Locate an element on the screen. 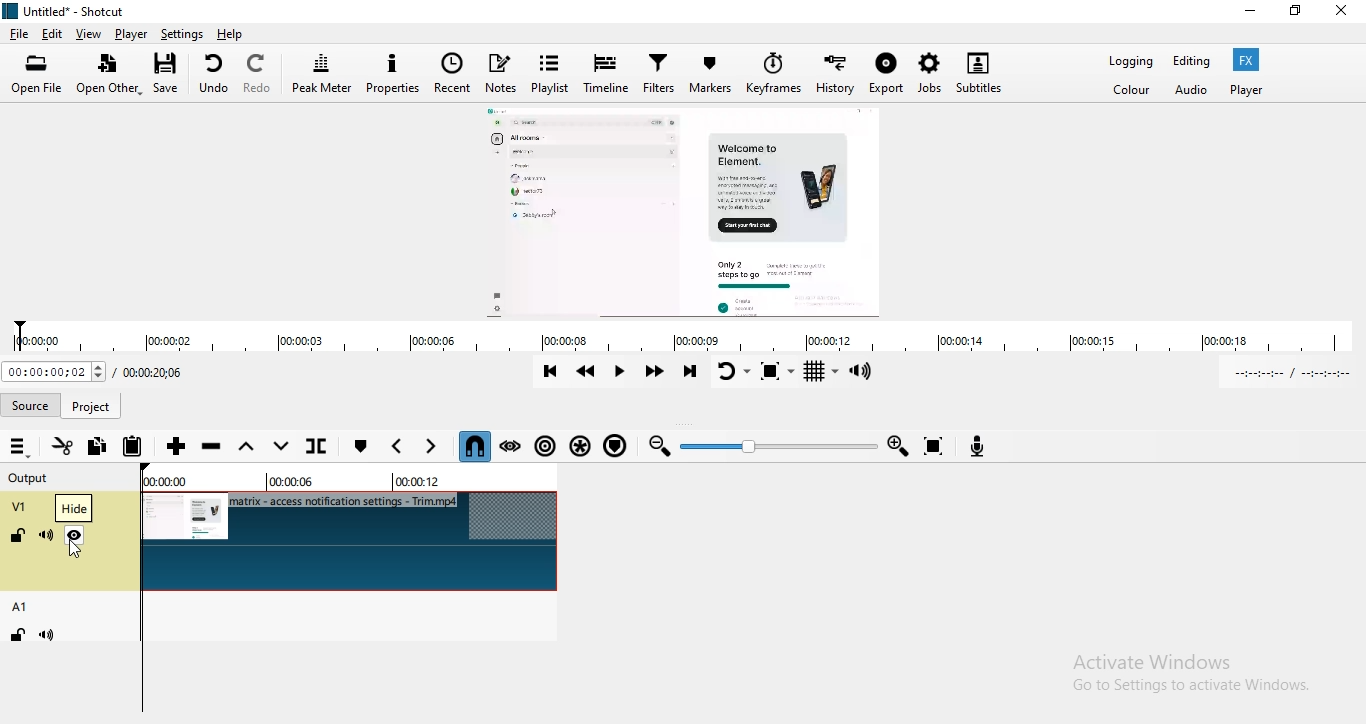  shotcut is located at coordinates (67, 12).